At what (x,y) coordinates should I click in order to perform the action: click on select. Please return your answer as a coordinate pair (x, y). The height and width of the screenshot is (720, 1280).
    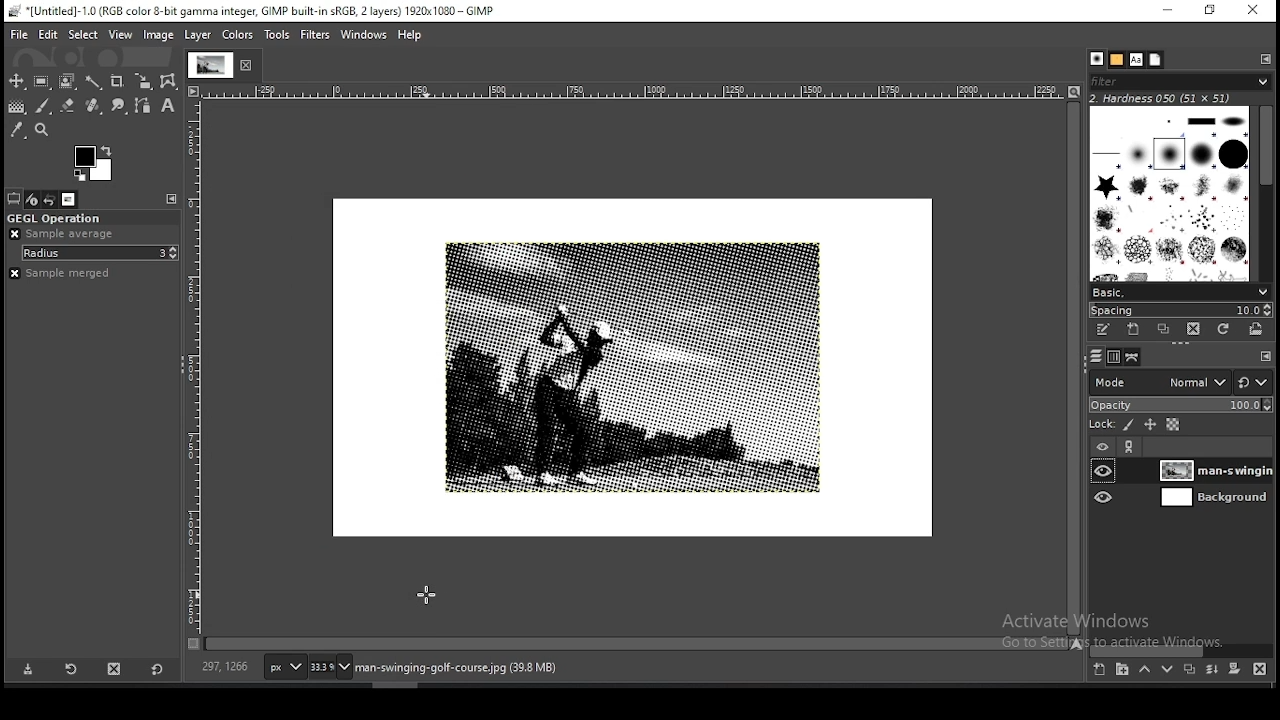
    Looking at the image, I should click on (83, 35).